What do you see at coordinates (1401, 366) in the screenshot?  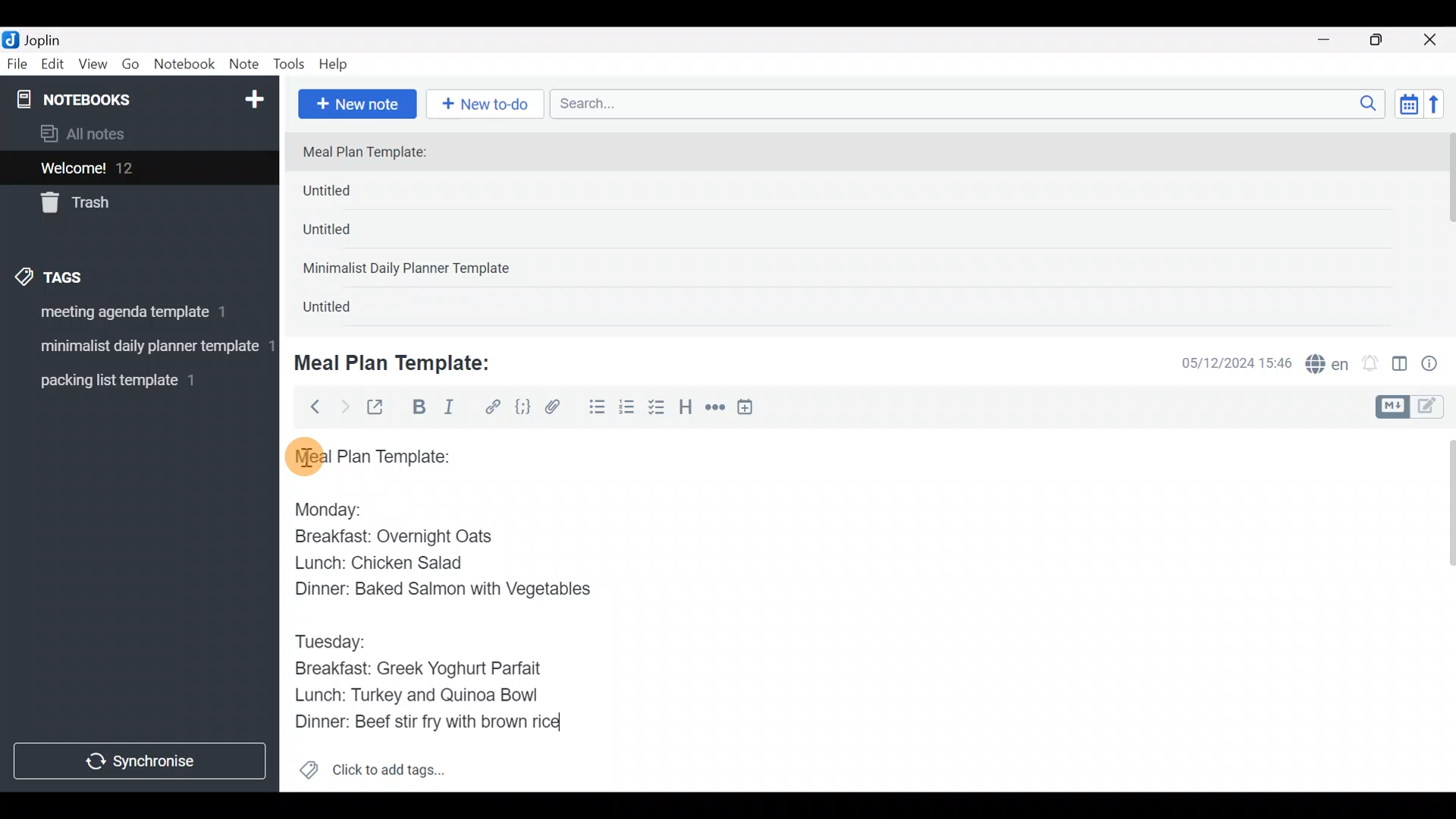 I see `Toggle editor layout` at bounding box center [1401, 366].